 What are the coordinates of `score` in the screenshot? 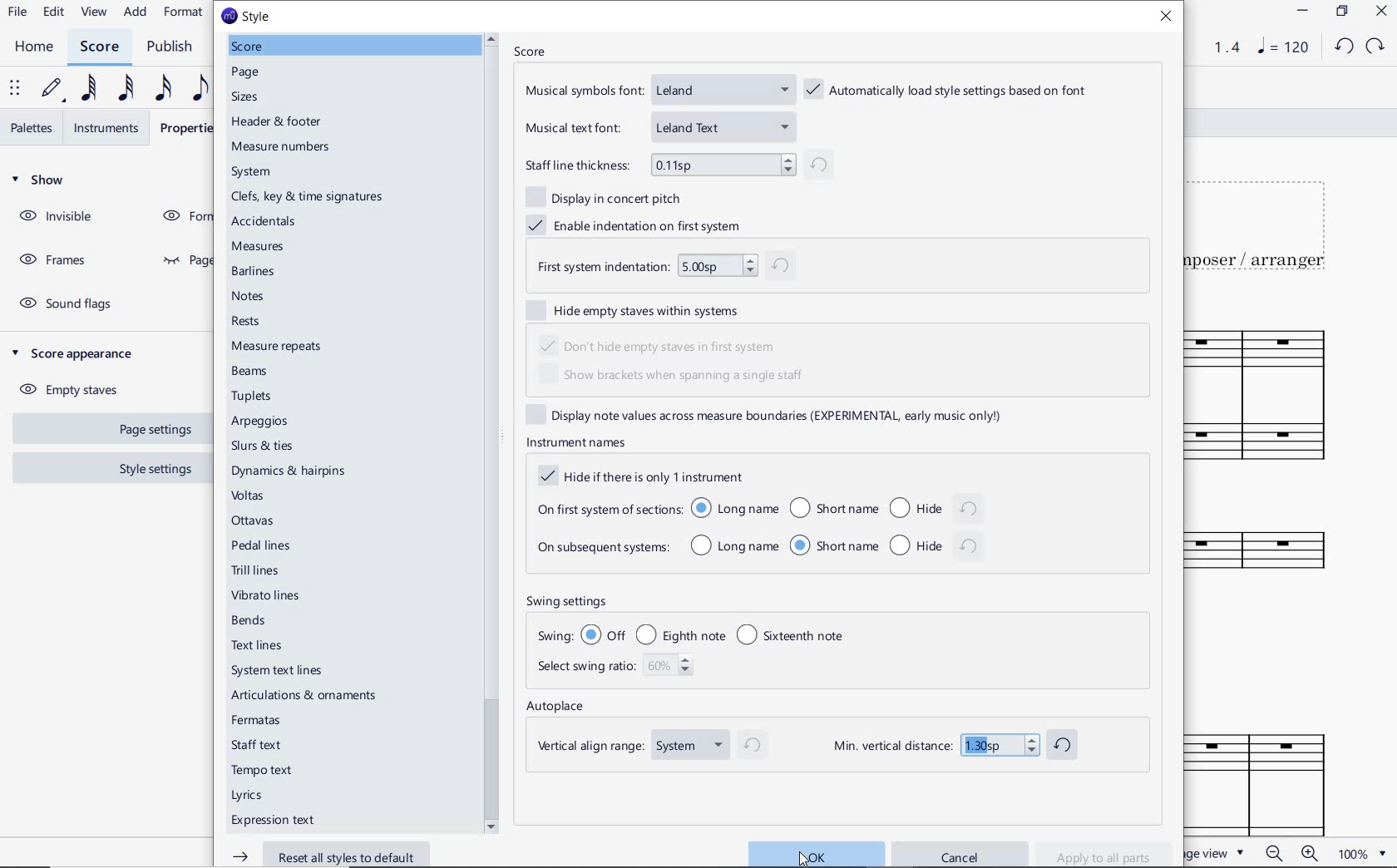 It's located at (247, 45).